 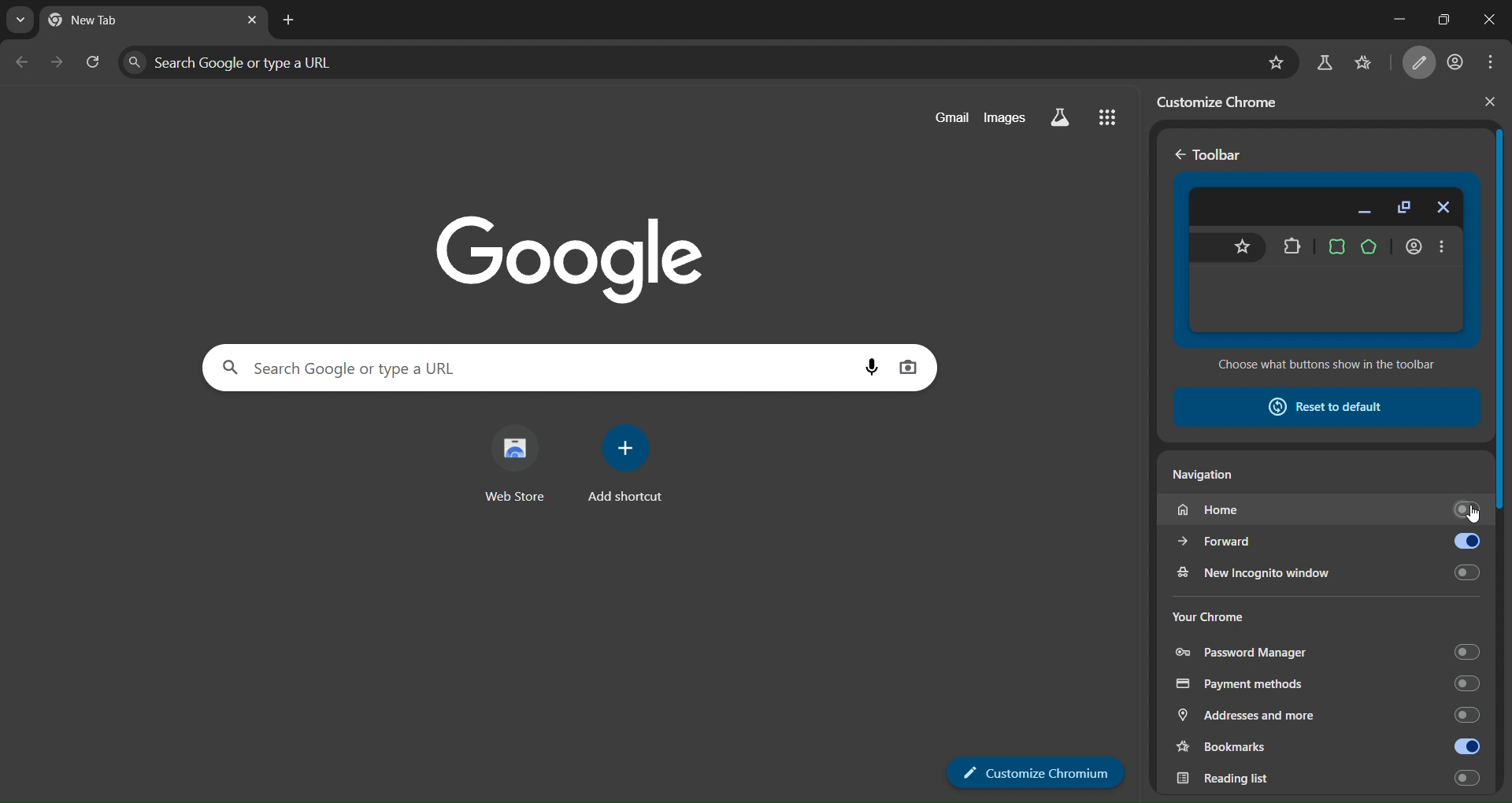 I want to click on reset todefault, so click(x=1314, y=406).